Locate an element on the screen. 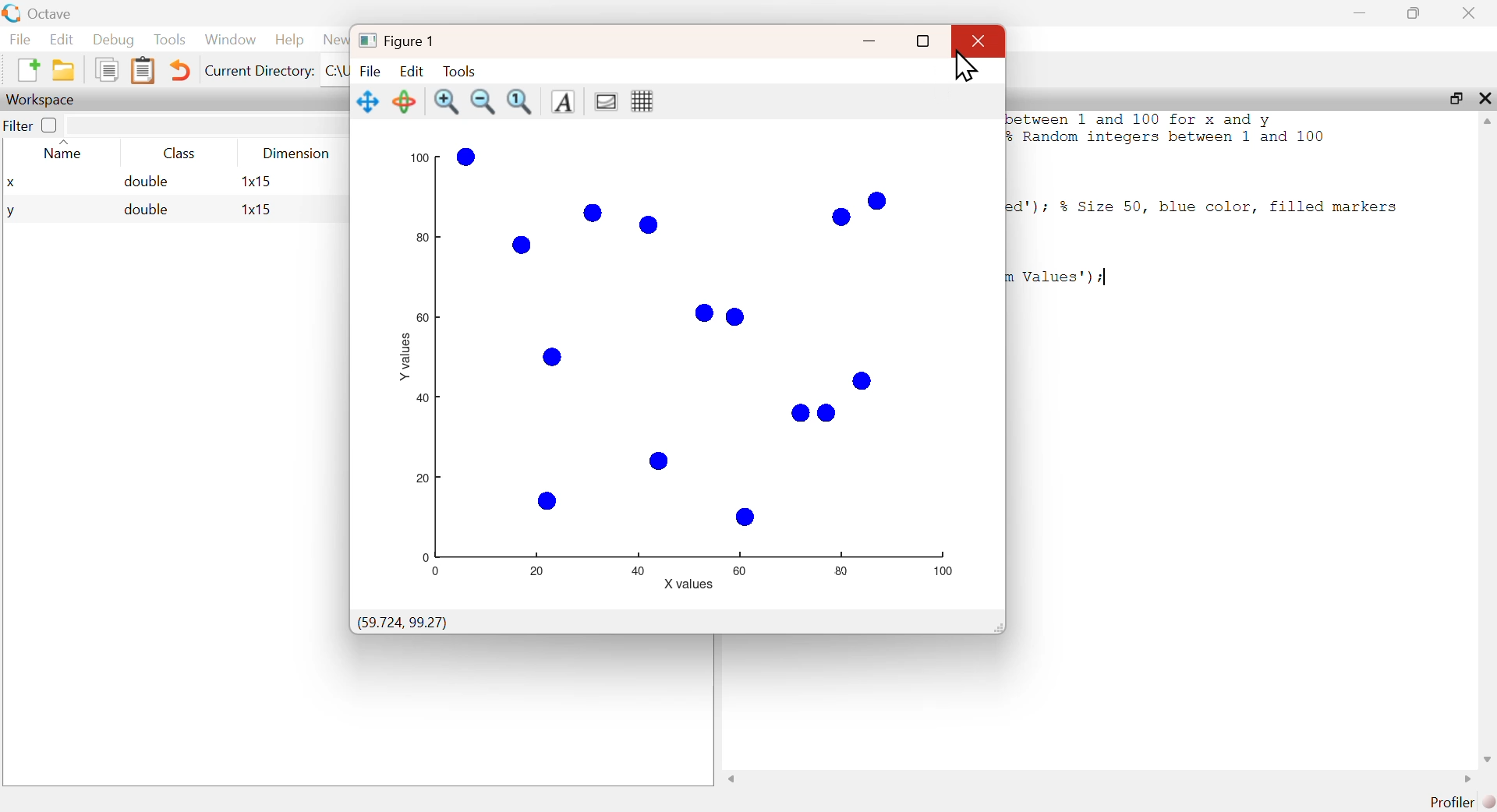 This screenshot has width=1497, height=812. double is located at coordinates (146, 209).